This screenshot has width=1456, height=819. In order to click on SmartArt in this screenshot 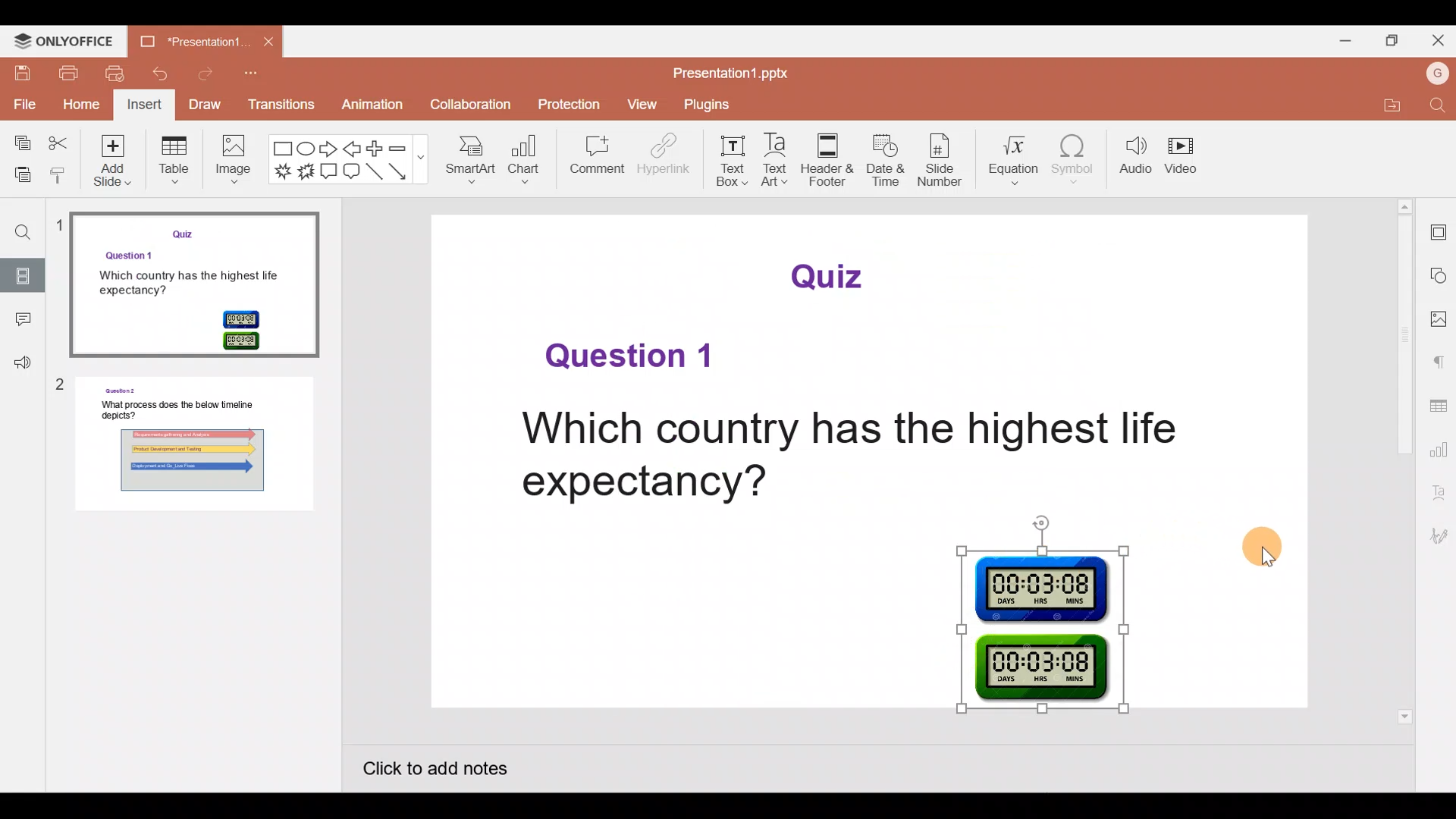, I will do `click(474, 160)`.